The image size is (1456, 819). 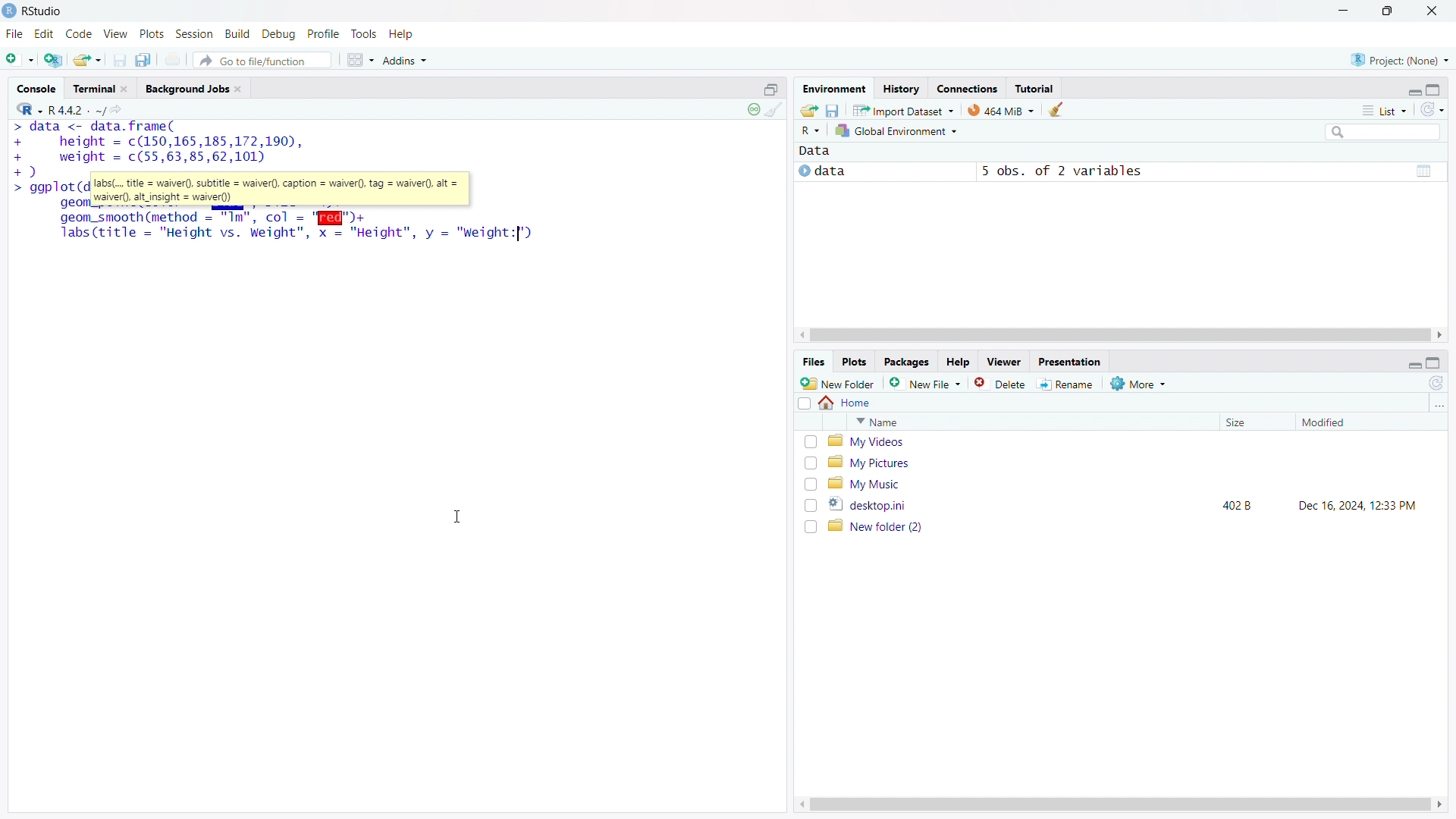 I want to click on my videos, so click(x=1131, y=441).